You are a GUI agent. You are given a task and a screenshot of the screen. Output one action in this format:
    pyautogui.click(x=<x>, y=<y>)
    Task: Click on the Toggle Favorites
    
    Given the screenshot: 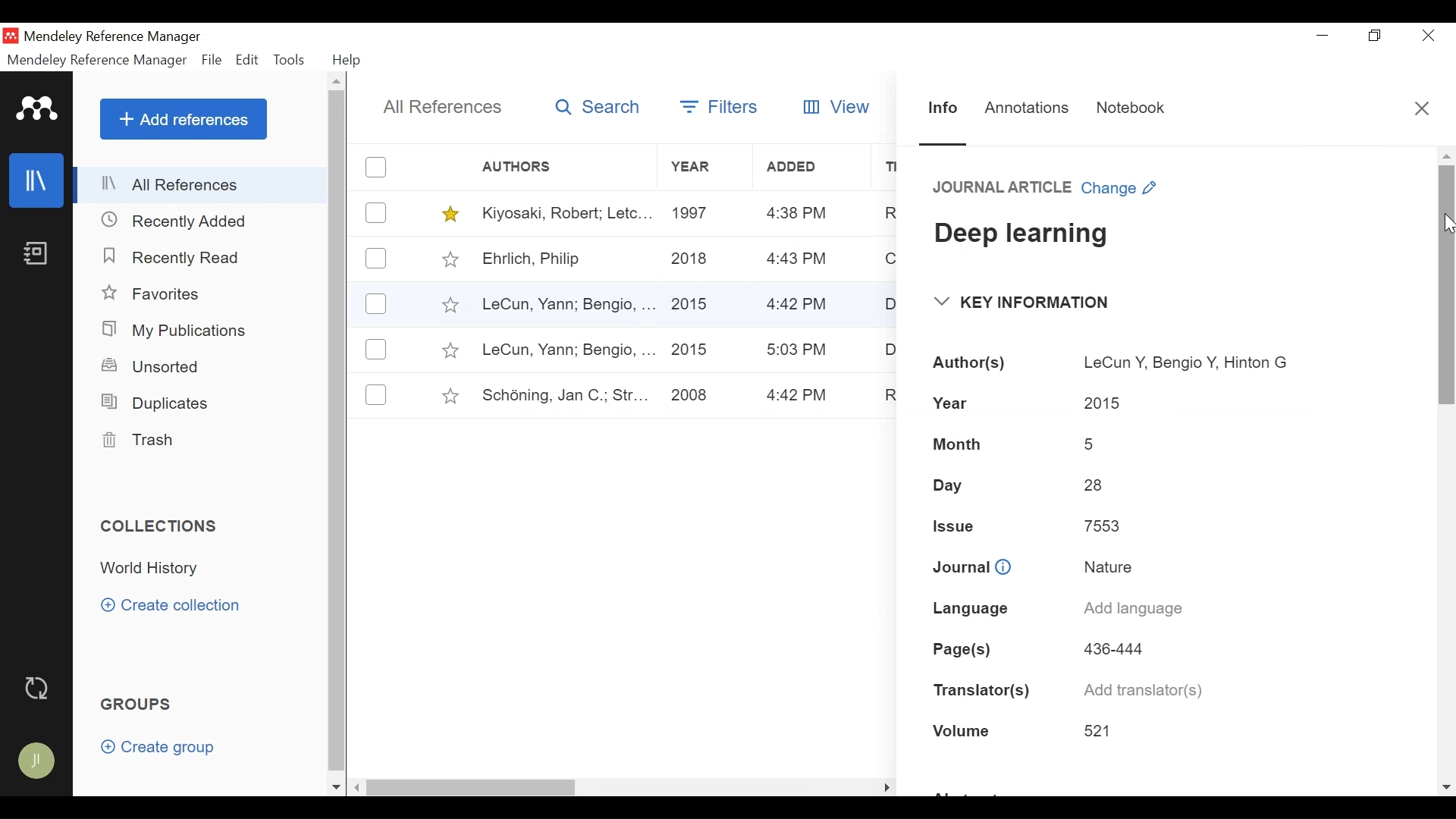 What is the action you would take?
    pyautogui.click(x=450, y=396)
    